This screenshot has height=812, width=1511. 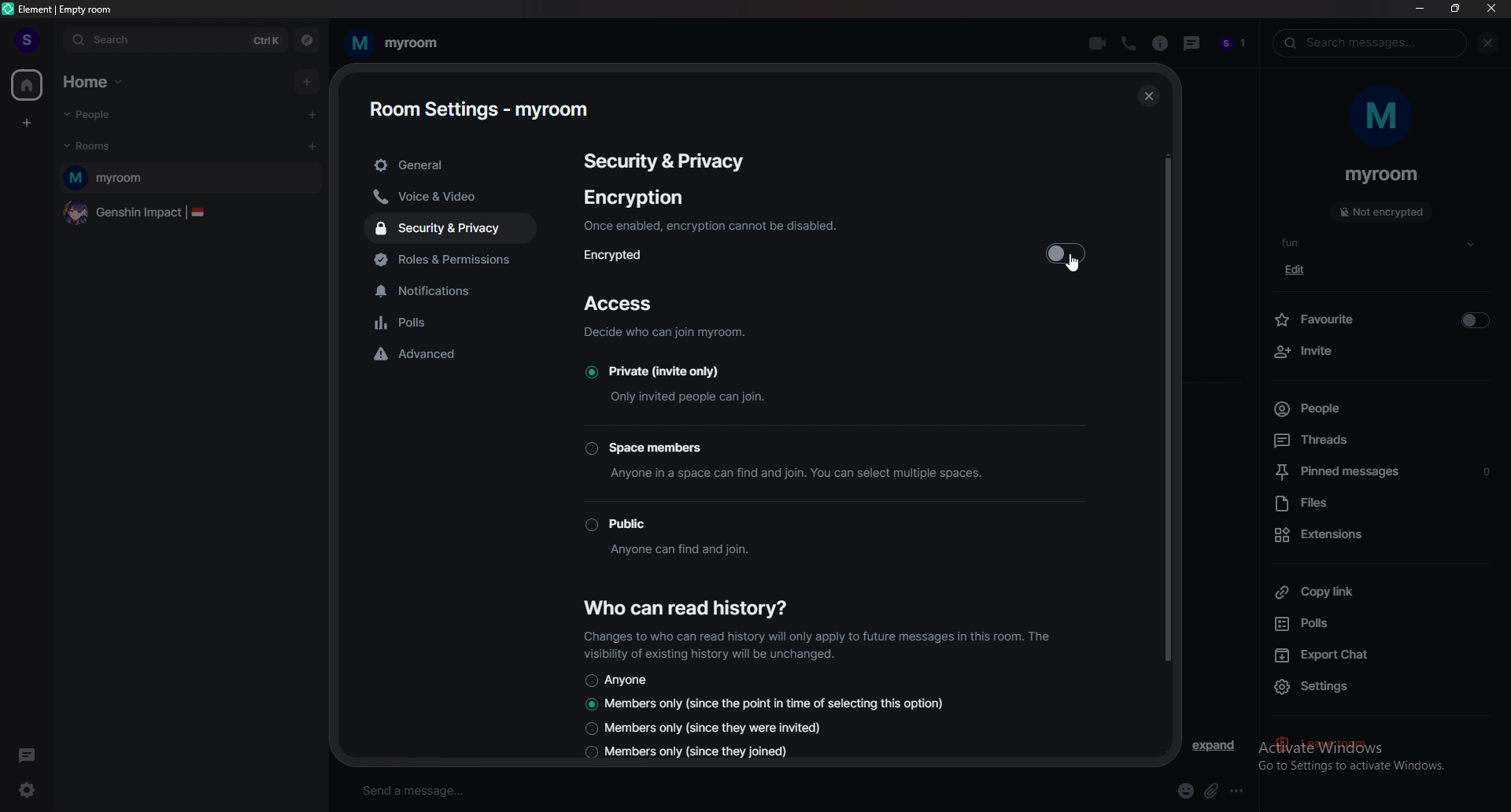 What do you see at coordinates (1380, 537) in the screenshot?
I see `extensions` at bounding box center [1380, 537].